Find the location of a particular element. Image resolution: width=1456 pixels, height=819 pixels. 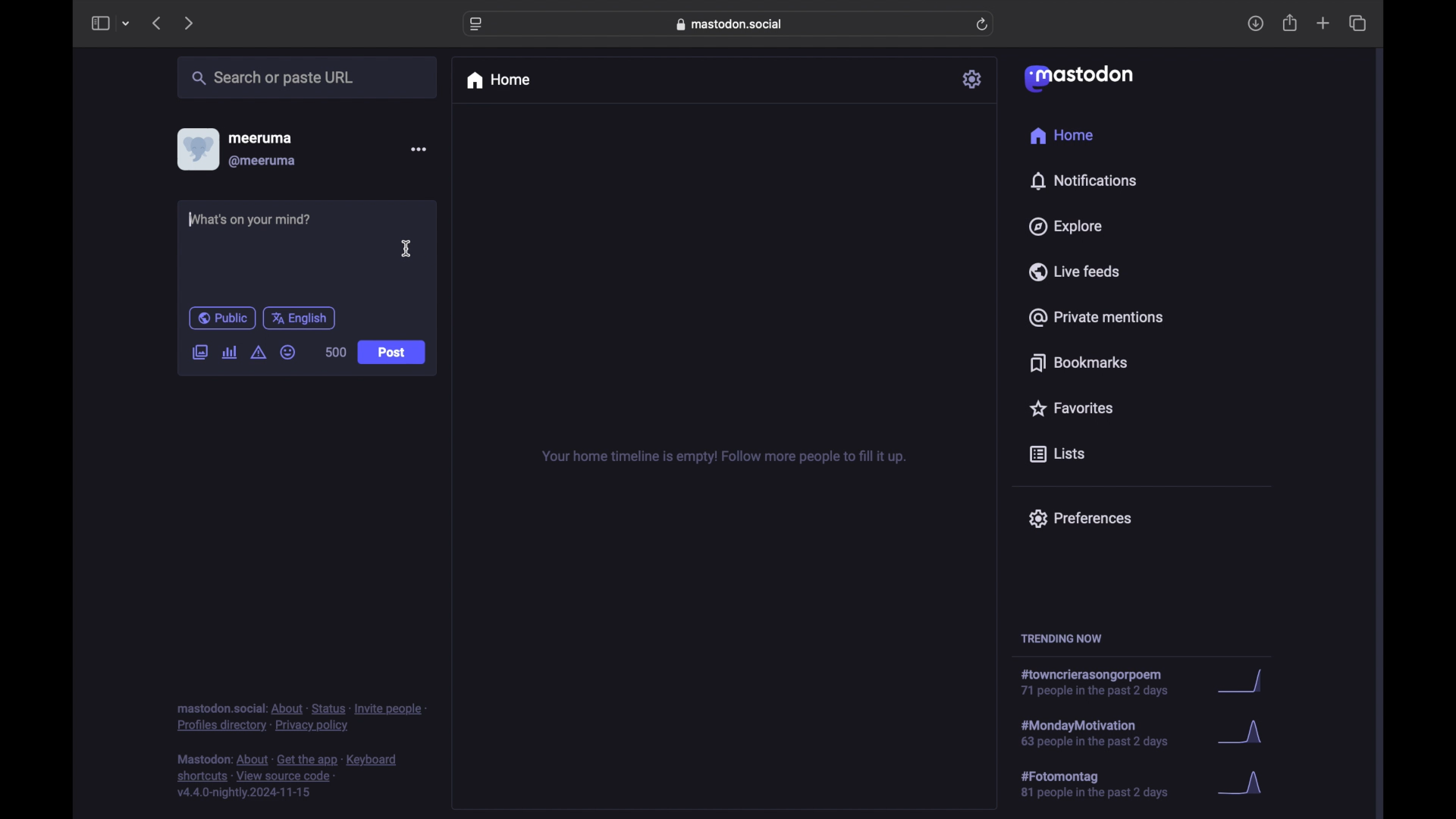

text cursor is located at coordinates (191, 218).